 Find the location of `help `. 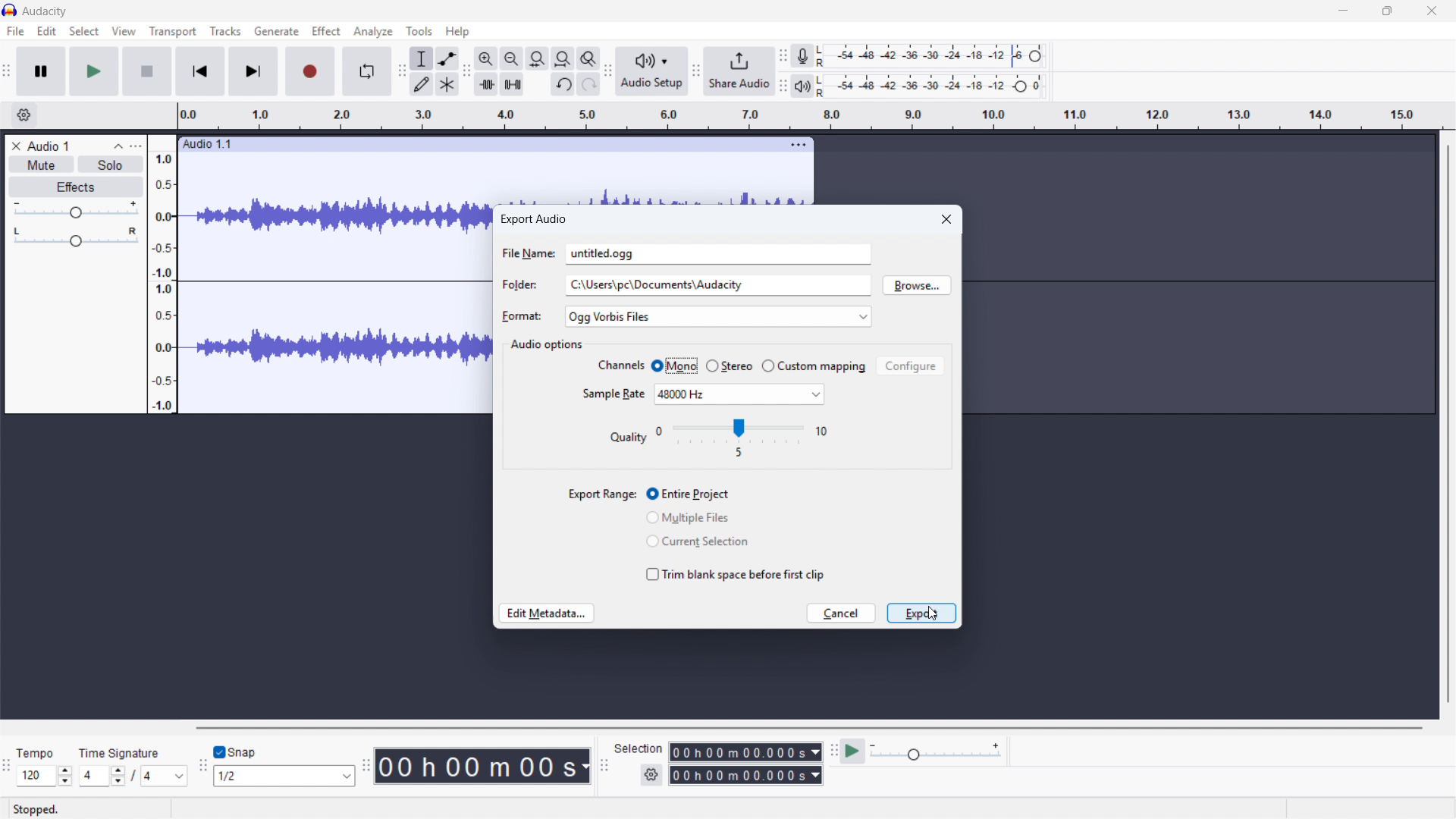

help  is located at coordinates (458, 31).